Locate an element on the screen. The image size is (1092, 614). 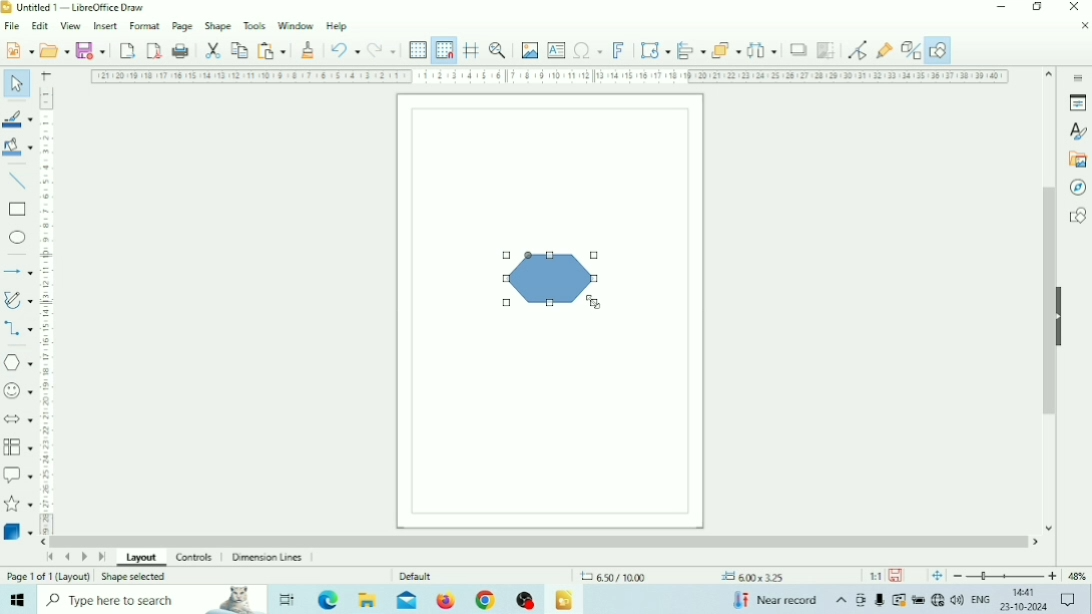
Title is located at coordinates (82, 7).